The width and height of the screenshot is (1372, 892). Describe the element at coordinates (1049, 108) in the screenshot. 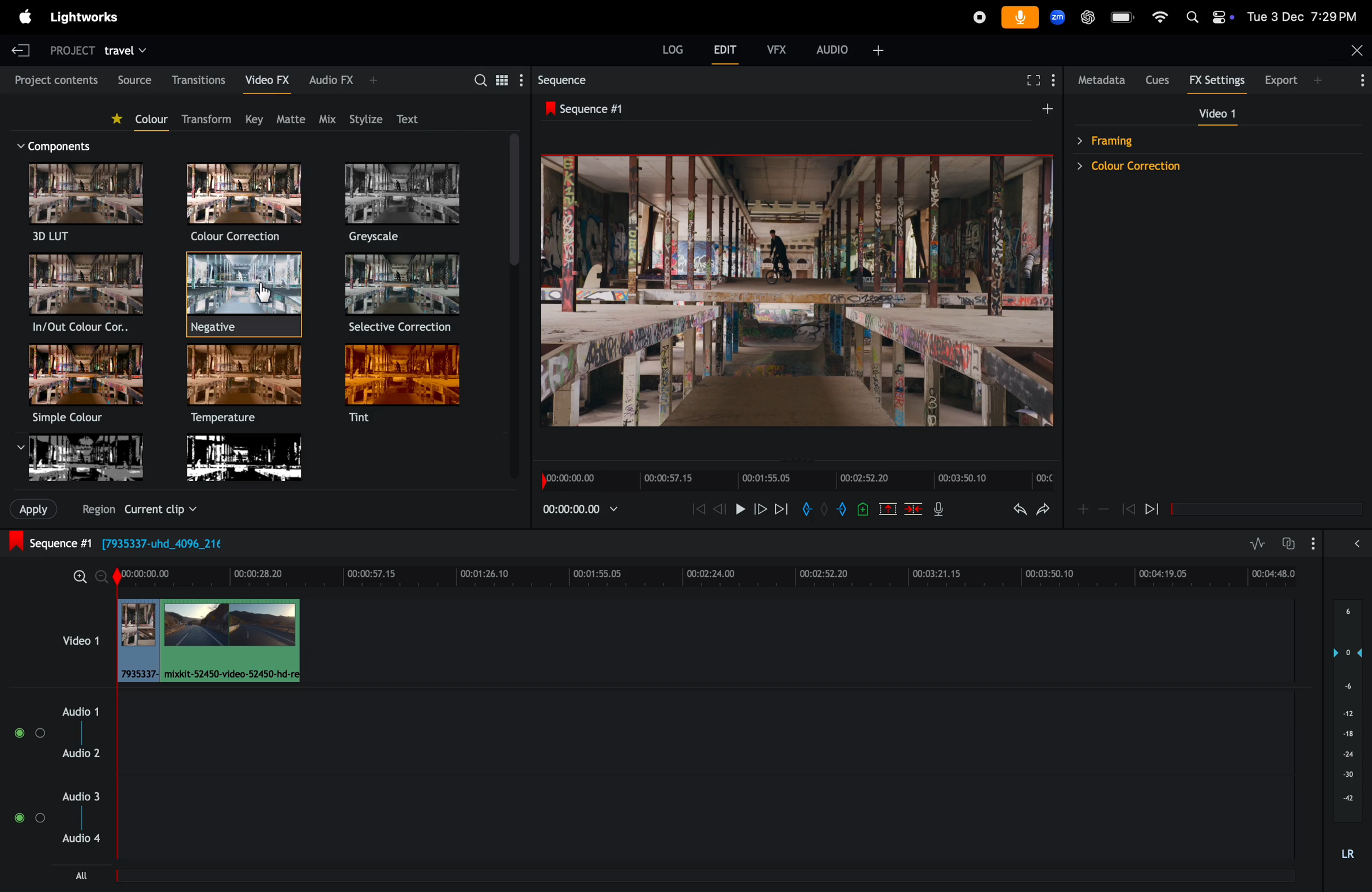

I see `add` at that location.